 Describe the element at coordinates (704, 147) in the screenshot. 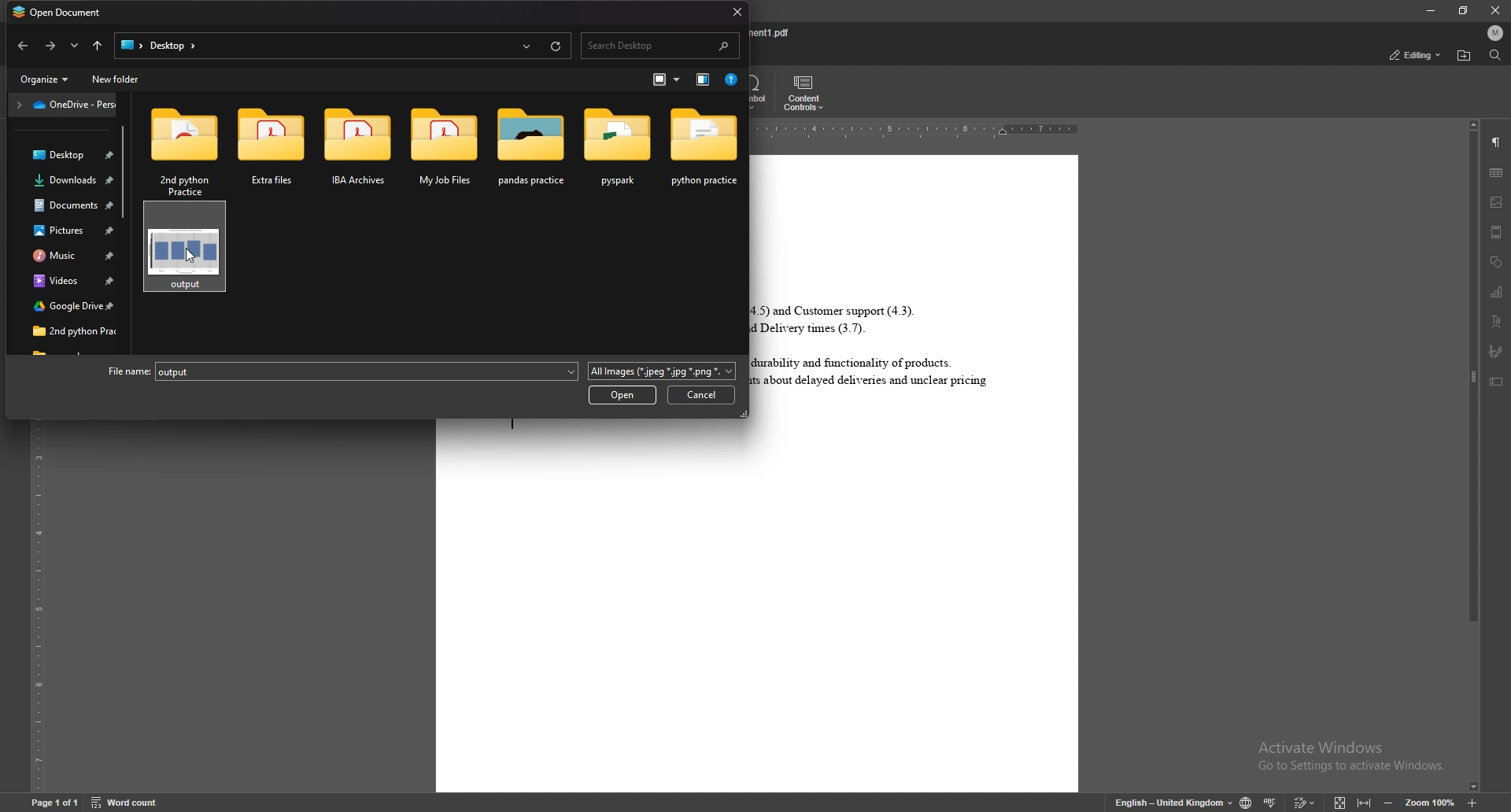

I see `folder` at that location.